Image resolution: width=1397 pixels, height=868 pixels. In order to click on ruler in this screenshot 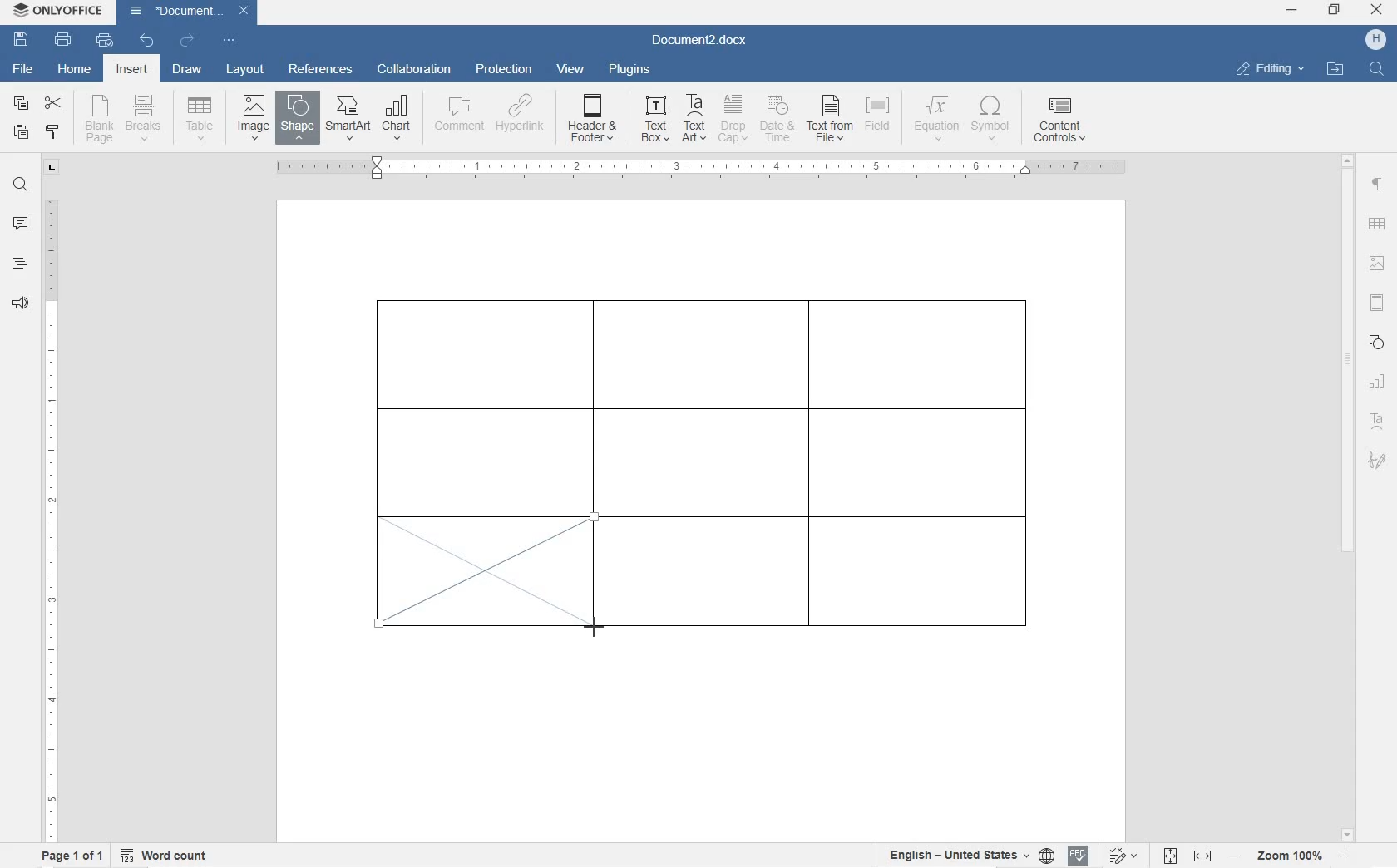, I will do `click(51, 515)`.